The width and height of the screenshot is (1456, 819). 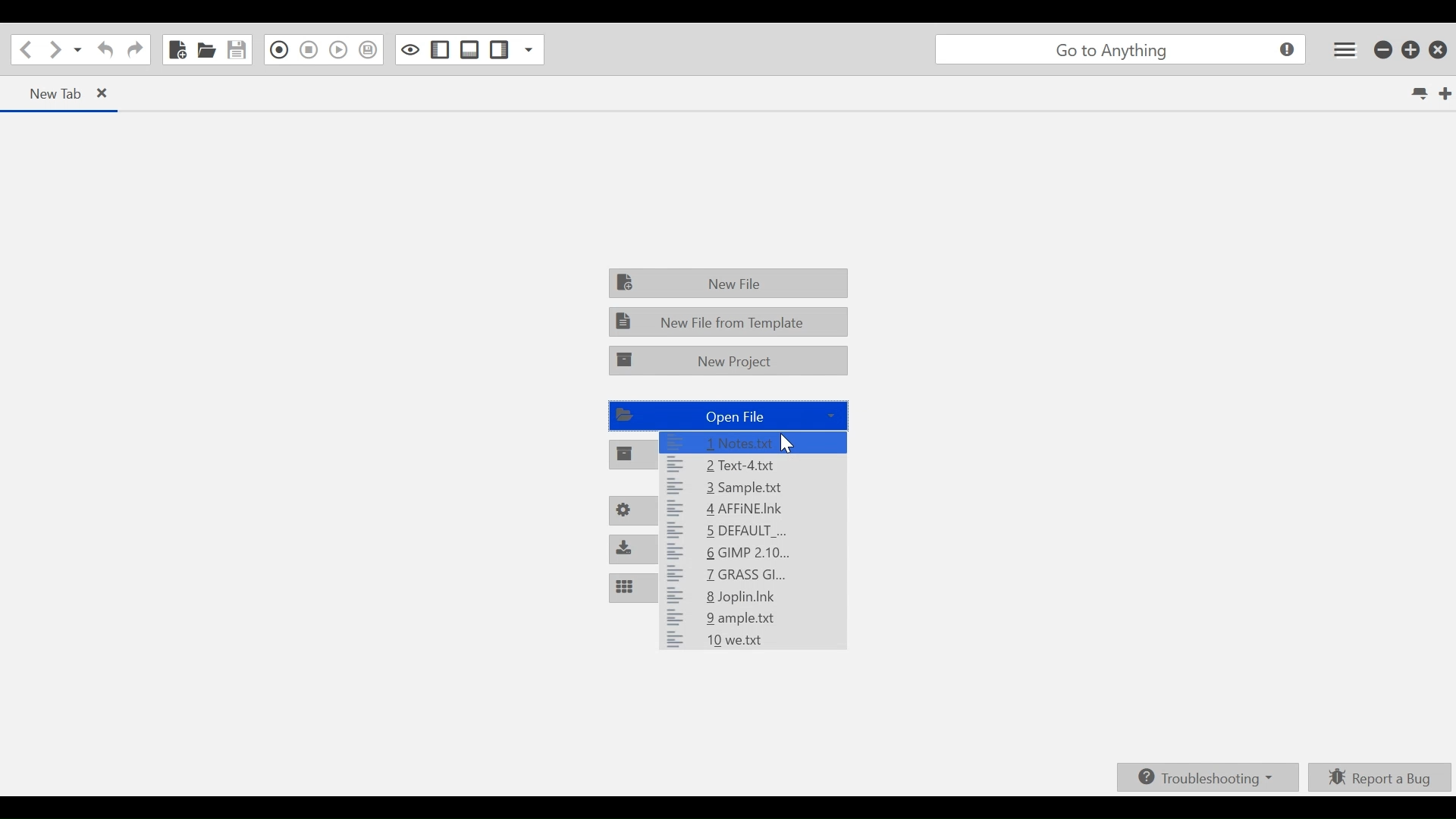 I want to click on 8 Joplin.Ink, so click(x=755, y=595).